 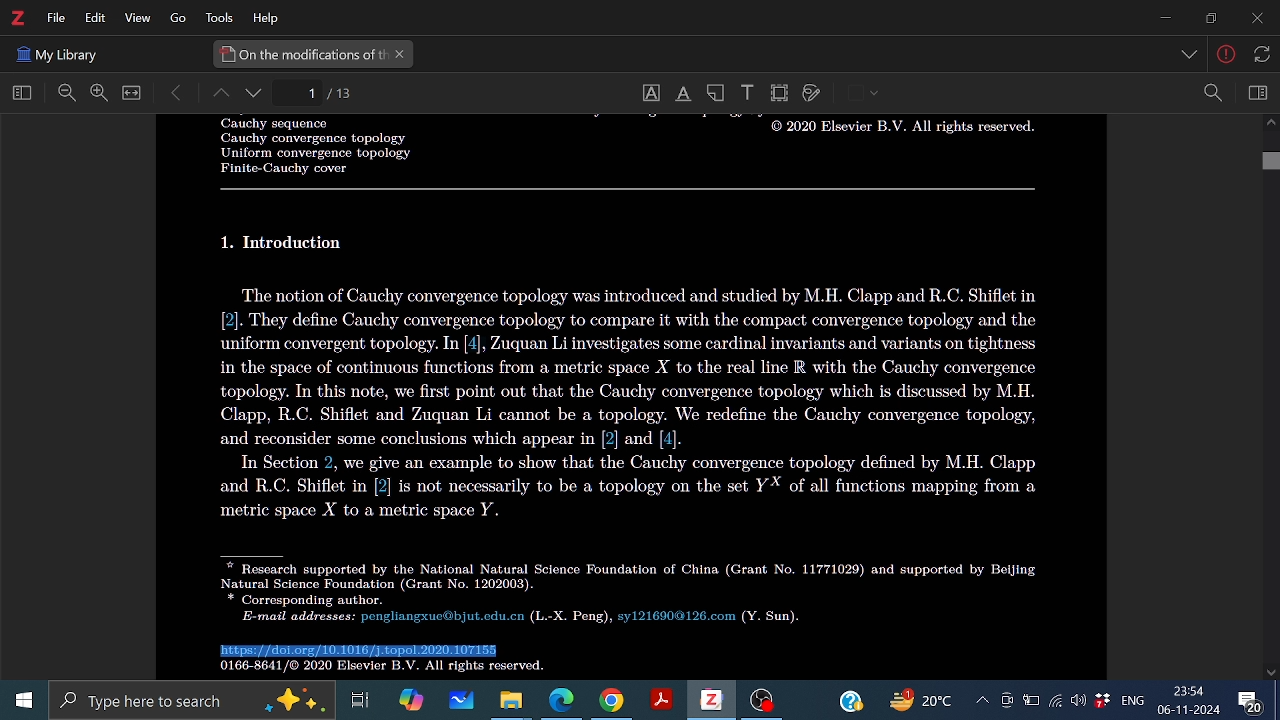 I want to click on Zotero, so click(x=17, y=18).